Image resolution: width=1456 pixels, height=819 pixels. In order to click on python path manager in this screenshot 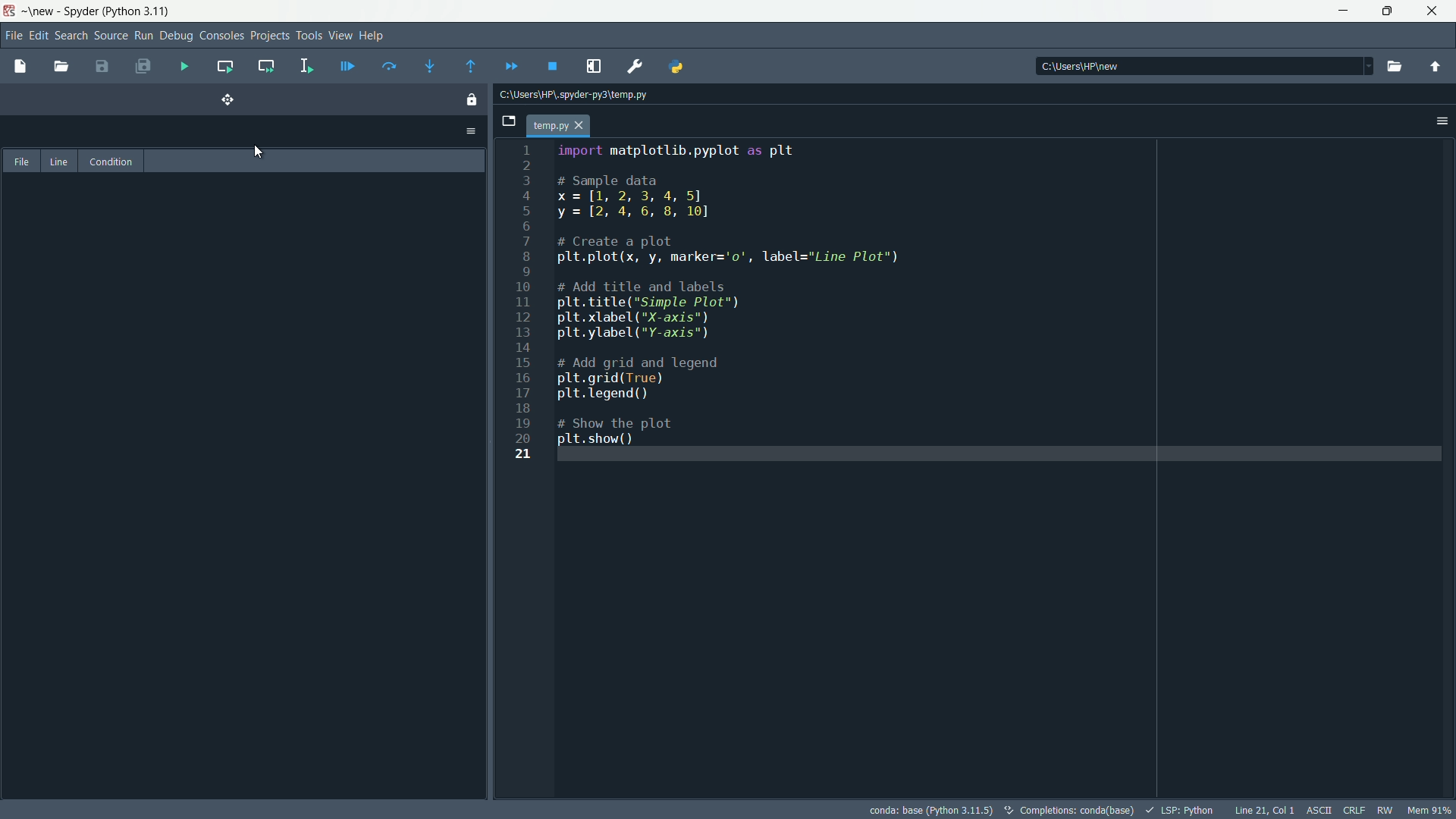, I will do `click(681, 67)`.